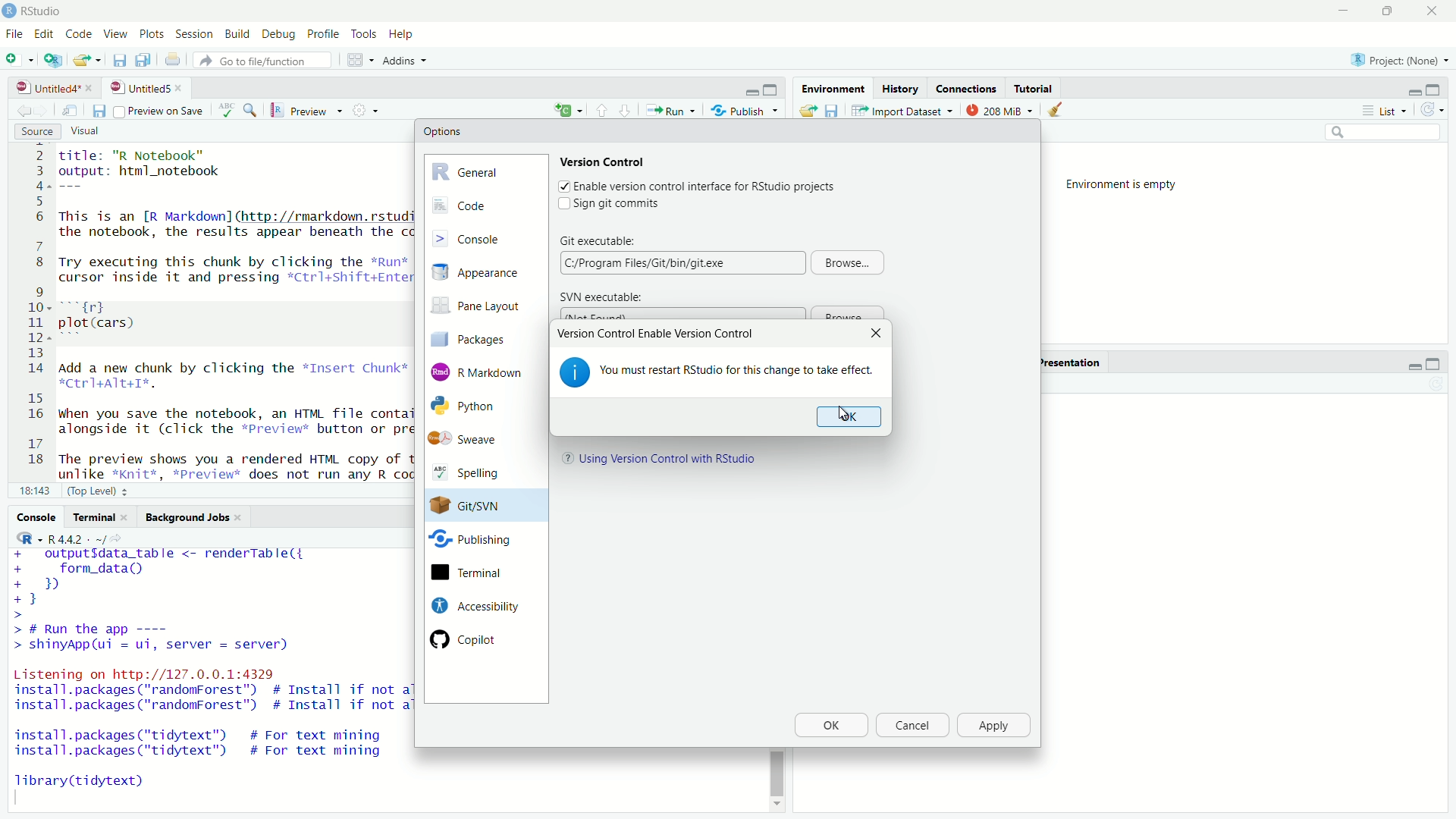 The width and height of the screenshot is (1456, 819). I want to click on Git/SVN, so click(472, 506).